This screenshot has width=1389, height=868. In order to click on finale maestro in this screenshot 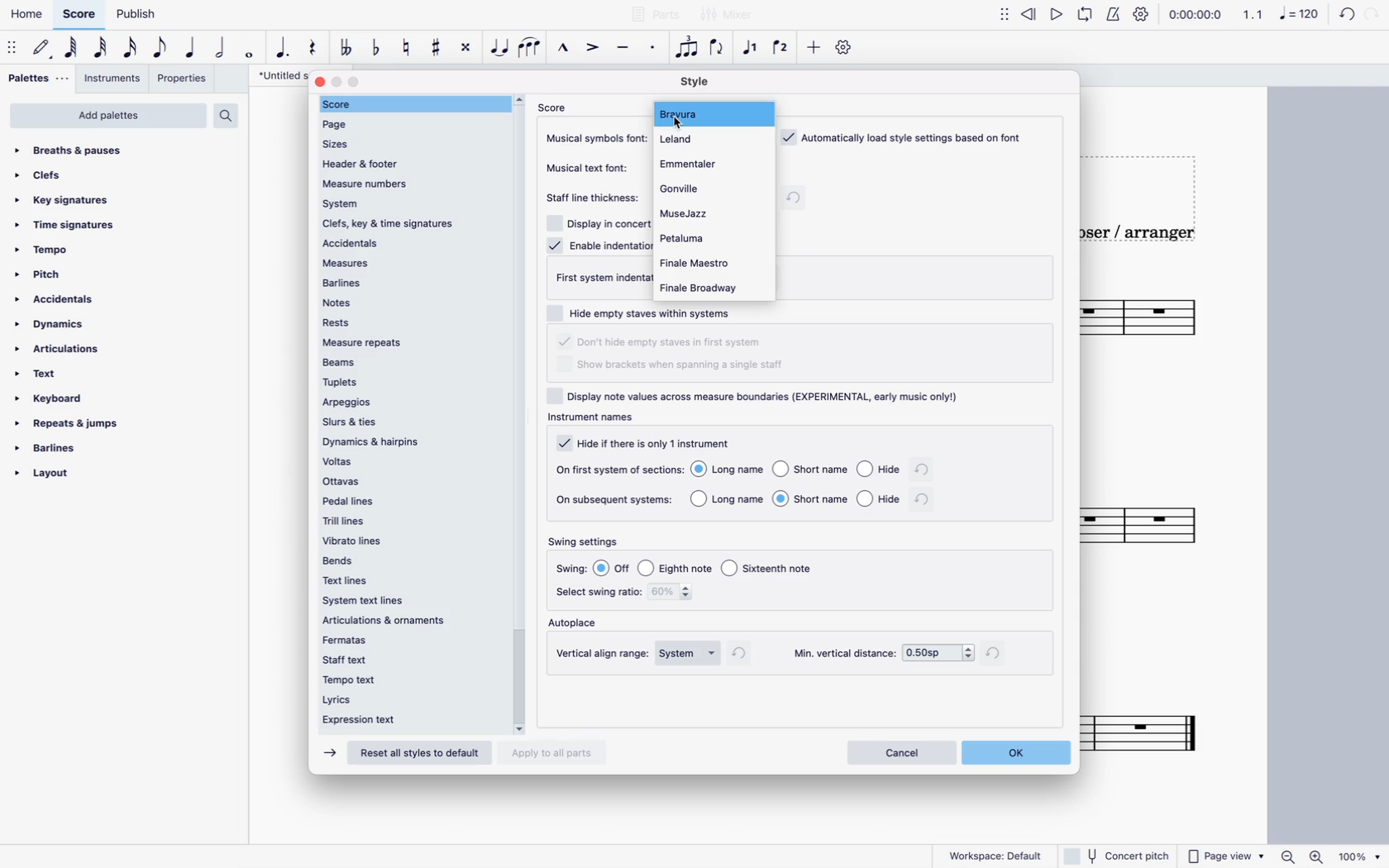, I will do `click(700, 263)`.